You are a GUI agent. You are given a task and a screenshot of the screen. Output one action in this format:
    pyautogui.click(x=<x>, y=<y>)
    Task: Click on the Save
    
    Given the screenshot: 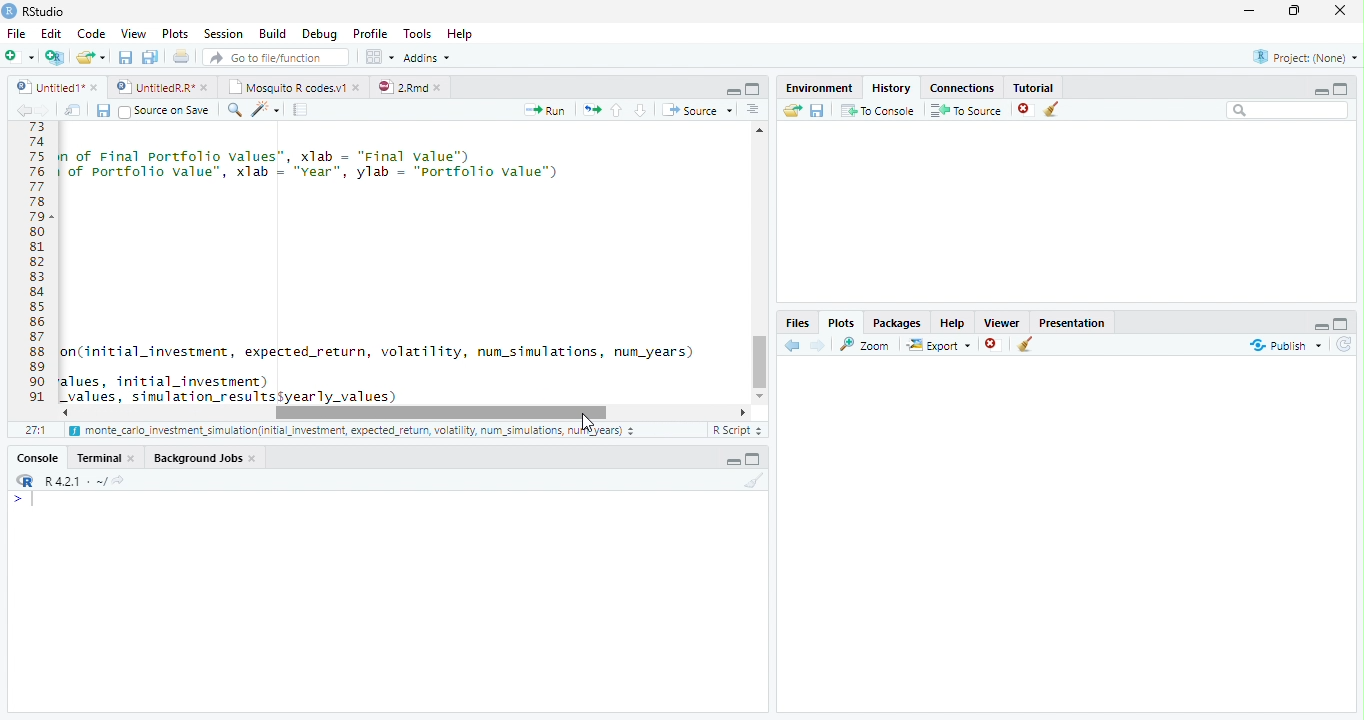 What is the action you would take?
    pyautogui.click(x=817, y=110)
    